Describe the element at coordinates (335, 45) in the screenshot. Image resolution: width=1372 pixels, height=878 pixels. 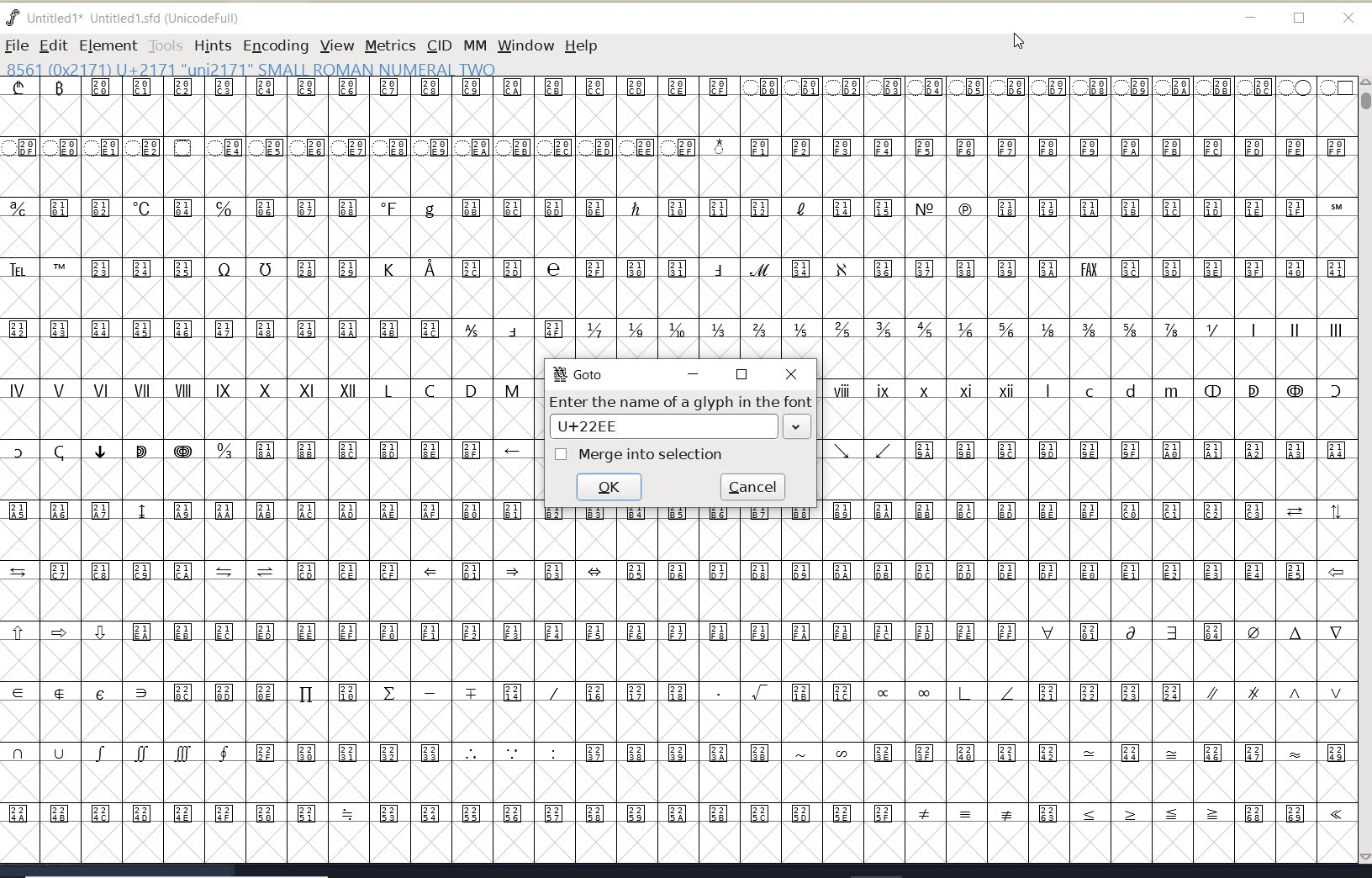
I see `VIEW` at that location.